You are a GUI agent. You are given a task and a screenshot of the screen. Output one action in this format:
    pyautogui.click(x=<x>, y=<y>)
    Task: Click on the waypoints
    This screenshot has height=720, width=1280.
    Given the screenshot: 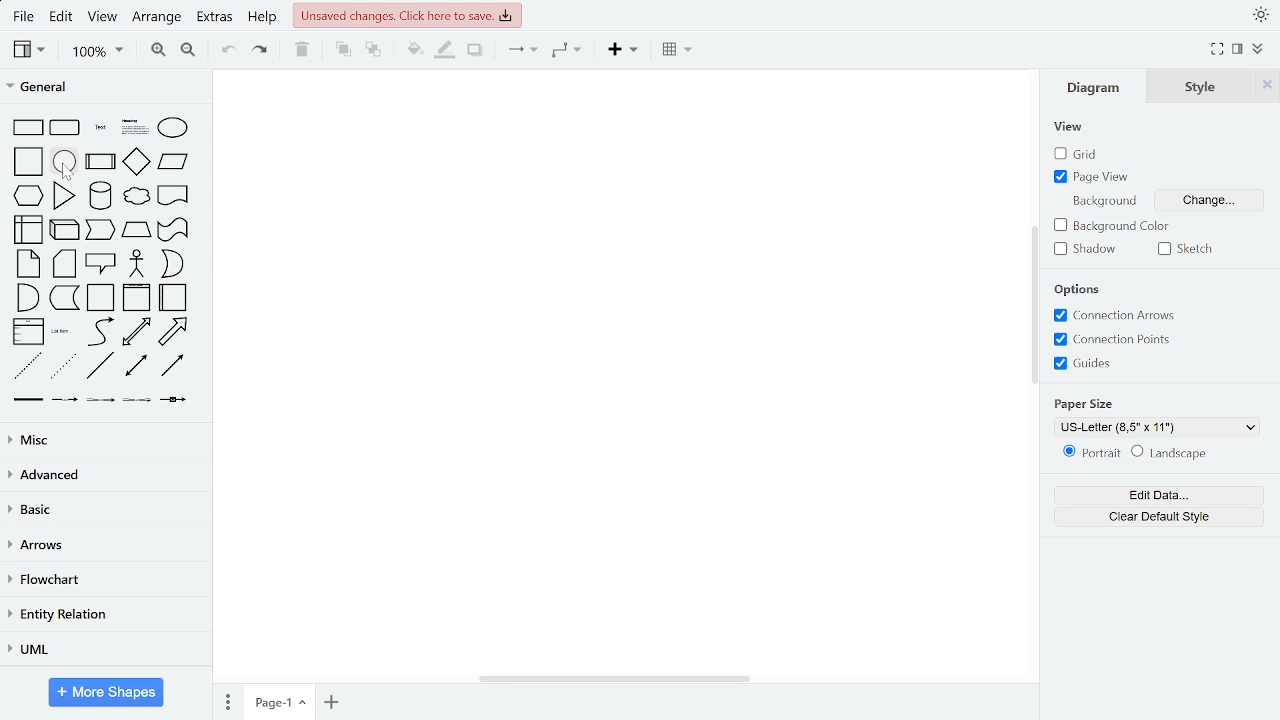 What is the action you would take?
    pyautogui.click(x=567, y=50)
    